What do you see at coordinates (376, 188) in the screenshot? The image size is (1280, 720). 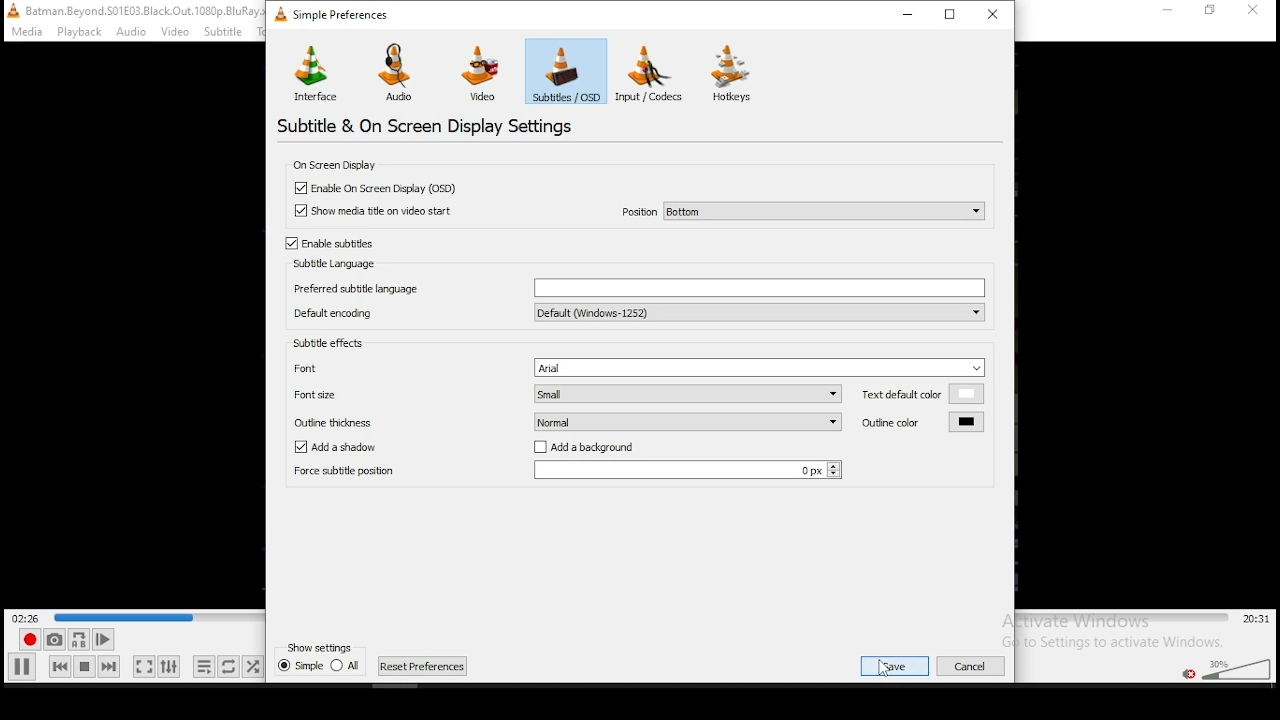 I see `checkbox: enable on screen display` at bounding box center [376, 188].